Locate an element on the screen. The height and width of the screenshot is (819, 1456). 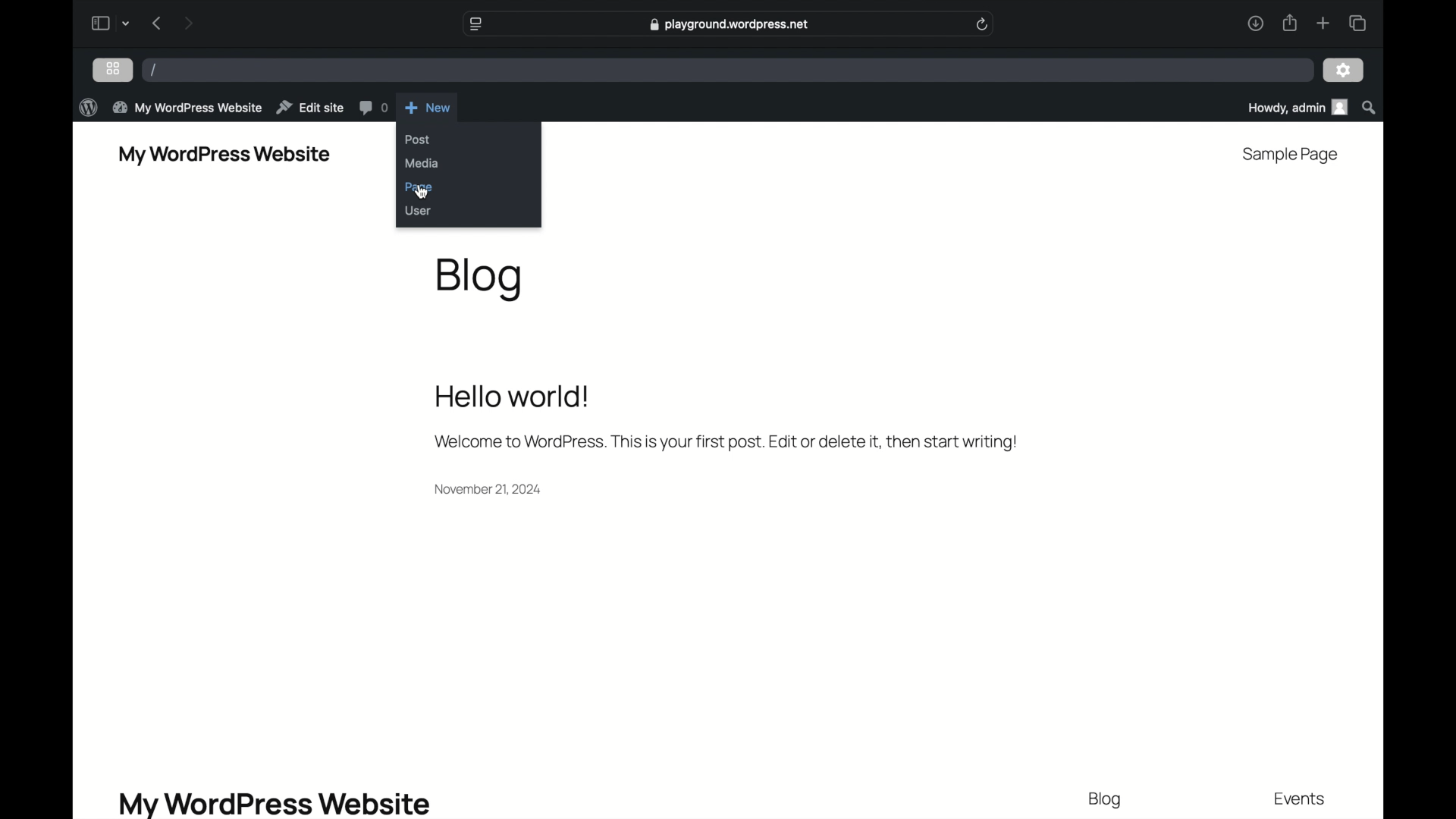
new is located at coordinates (428, 108).